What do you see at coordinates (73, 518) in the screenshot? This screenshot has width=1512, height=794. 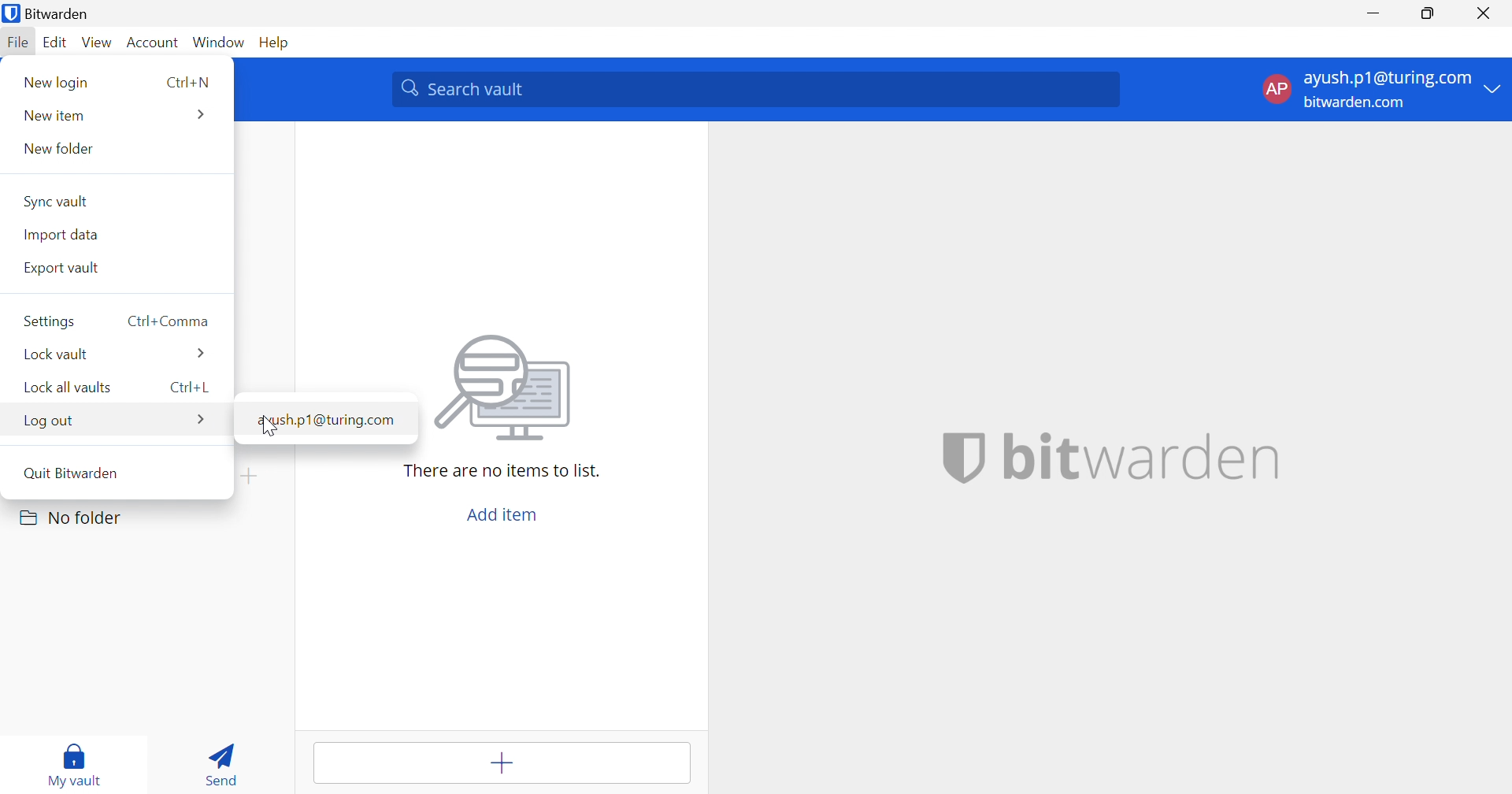 I see `No folder` at bounding box center [73, 518].